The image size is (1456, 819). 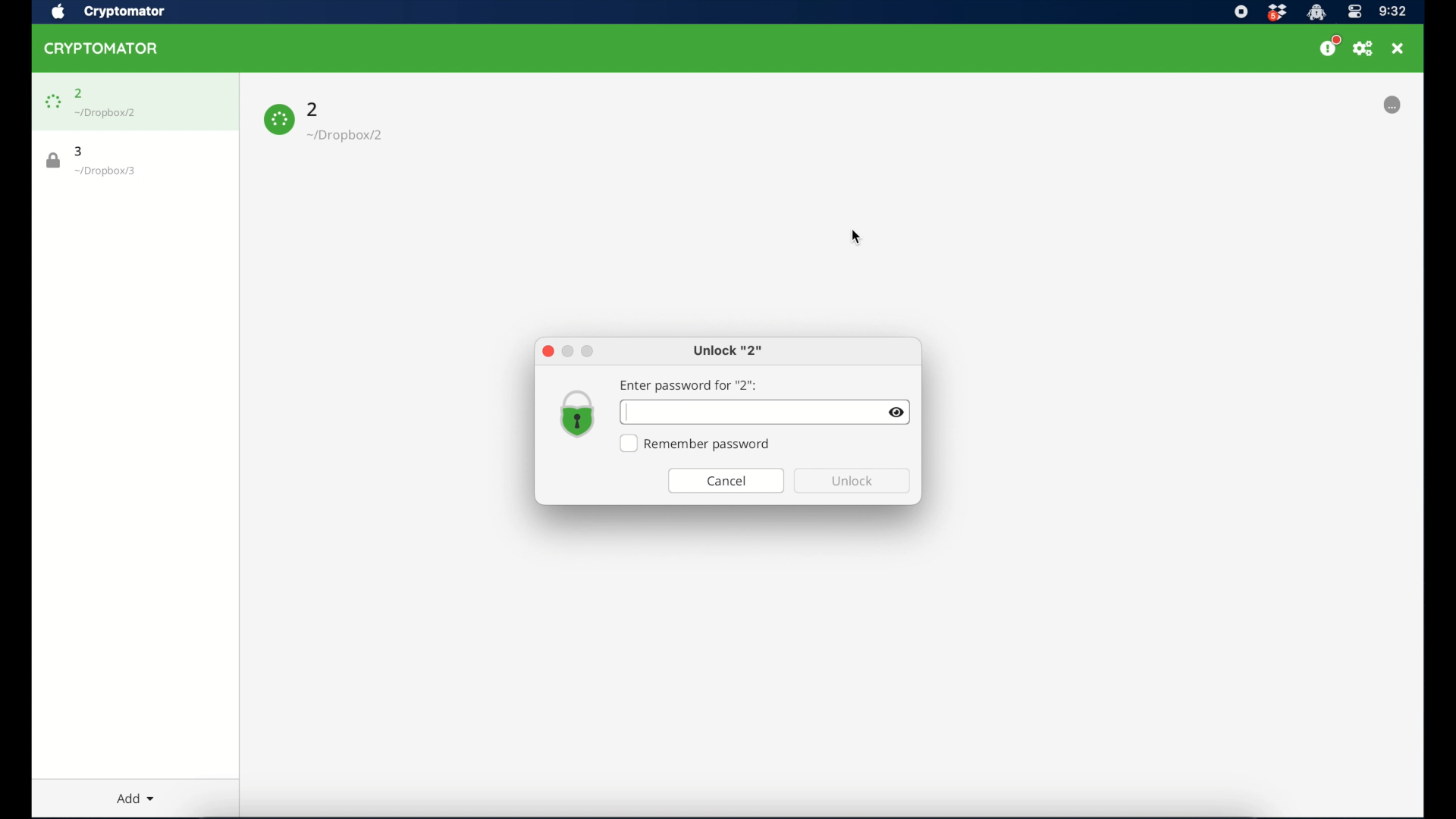 What do you see at coordinates (858, 238) in the screenshot?
I see `cursor` at bounding box center [858, 238].